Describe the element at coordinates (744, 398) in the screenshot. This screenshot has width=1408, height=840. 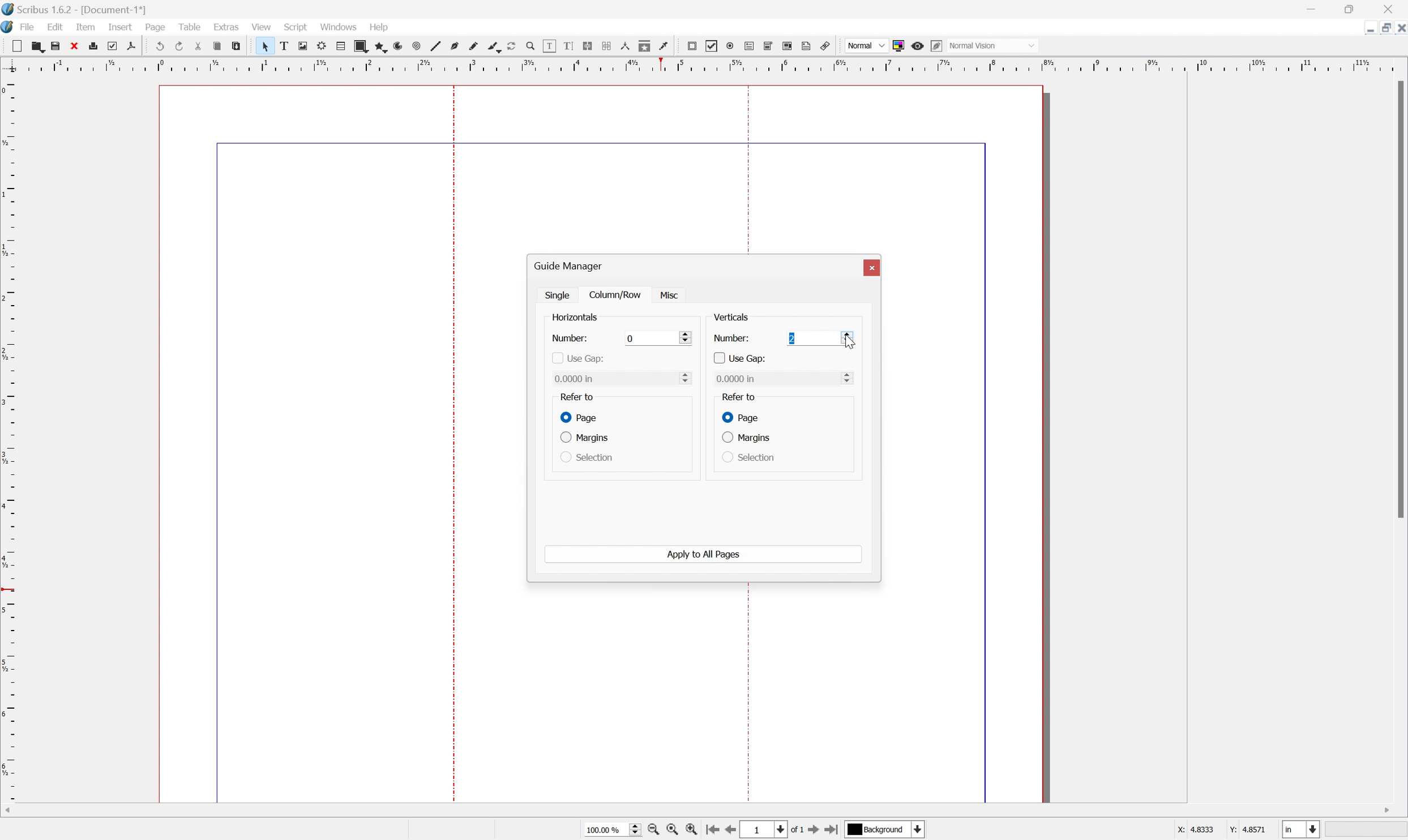
I see `refer to` at that location.